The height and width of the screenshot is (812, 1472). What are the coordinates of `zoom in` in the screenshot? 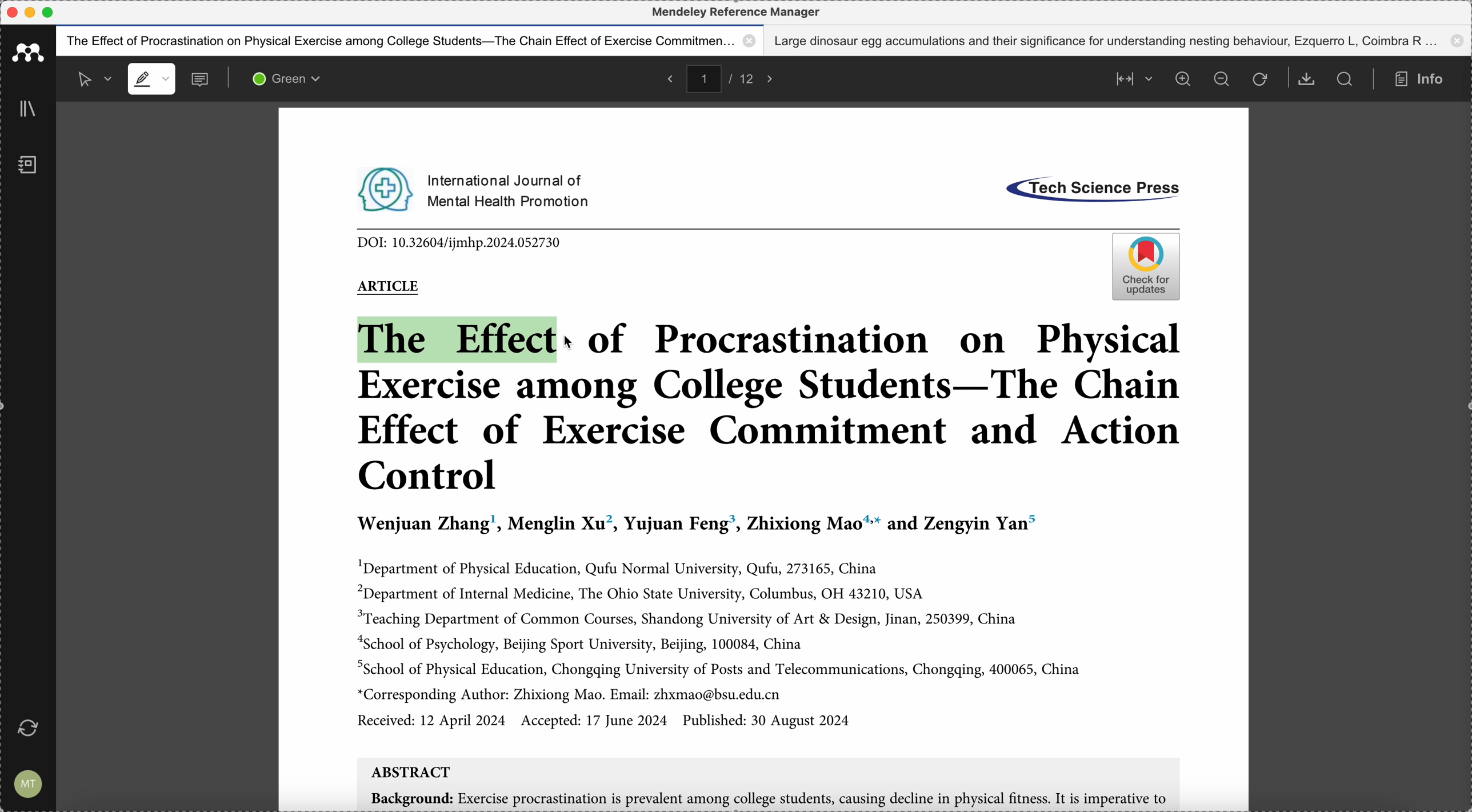 It's located at (1182, 79).